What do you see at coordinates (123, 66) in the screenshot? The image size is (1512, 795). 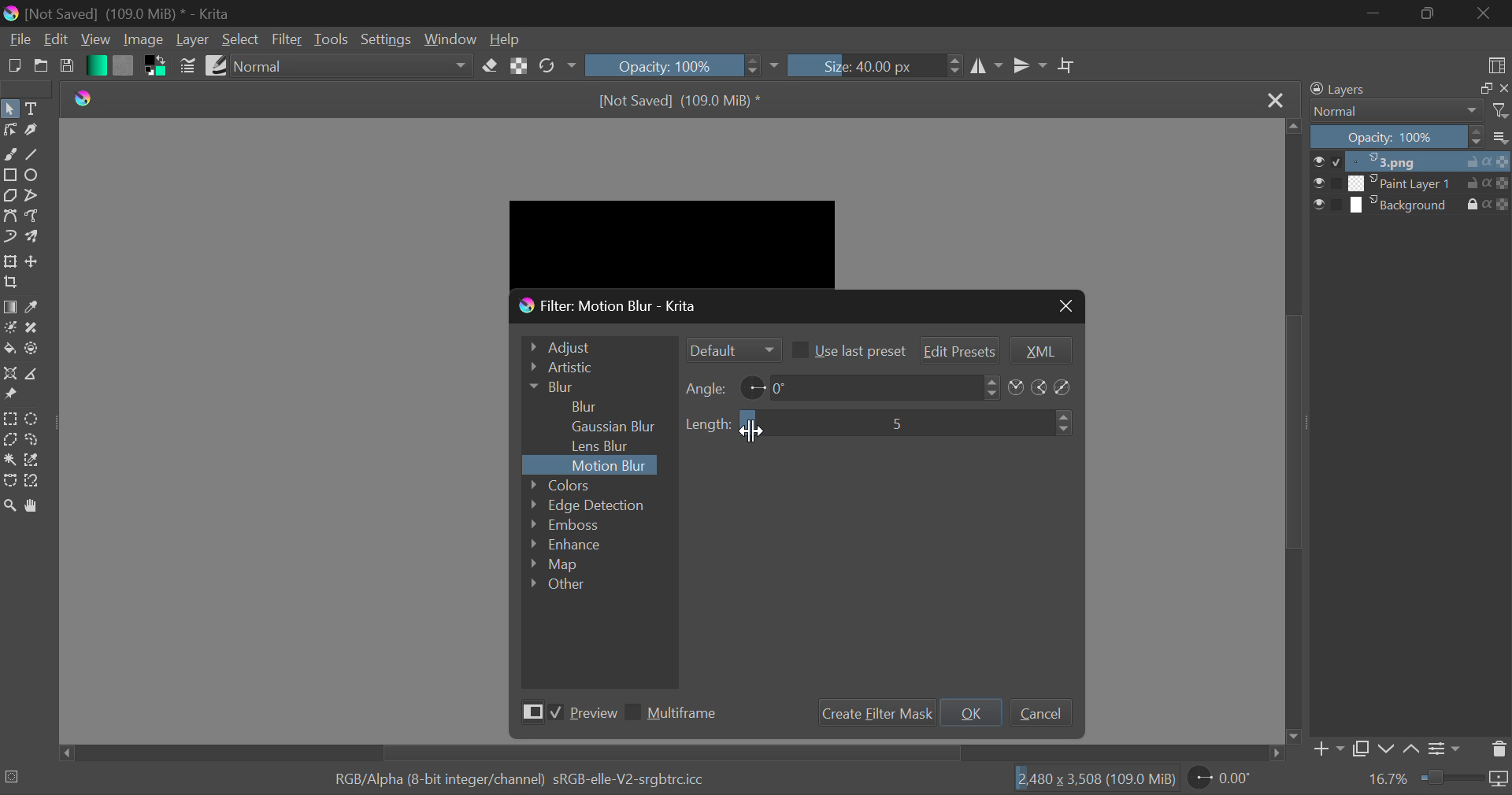 I see `Pattern` at bounding box center [123, 66].